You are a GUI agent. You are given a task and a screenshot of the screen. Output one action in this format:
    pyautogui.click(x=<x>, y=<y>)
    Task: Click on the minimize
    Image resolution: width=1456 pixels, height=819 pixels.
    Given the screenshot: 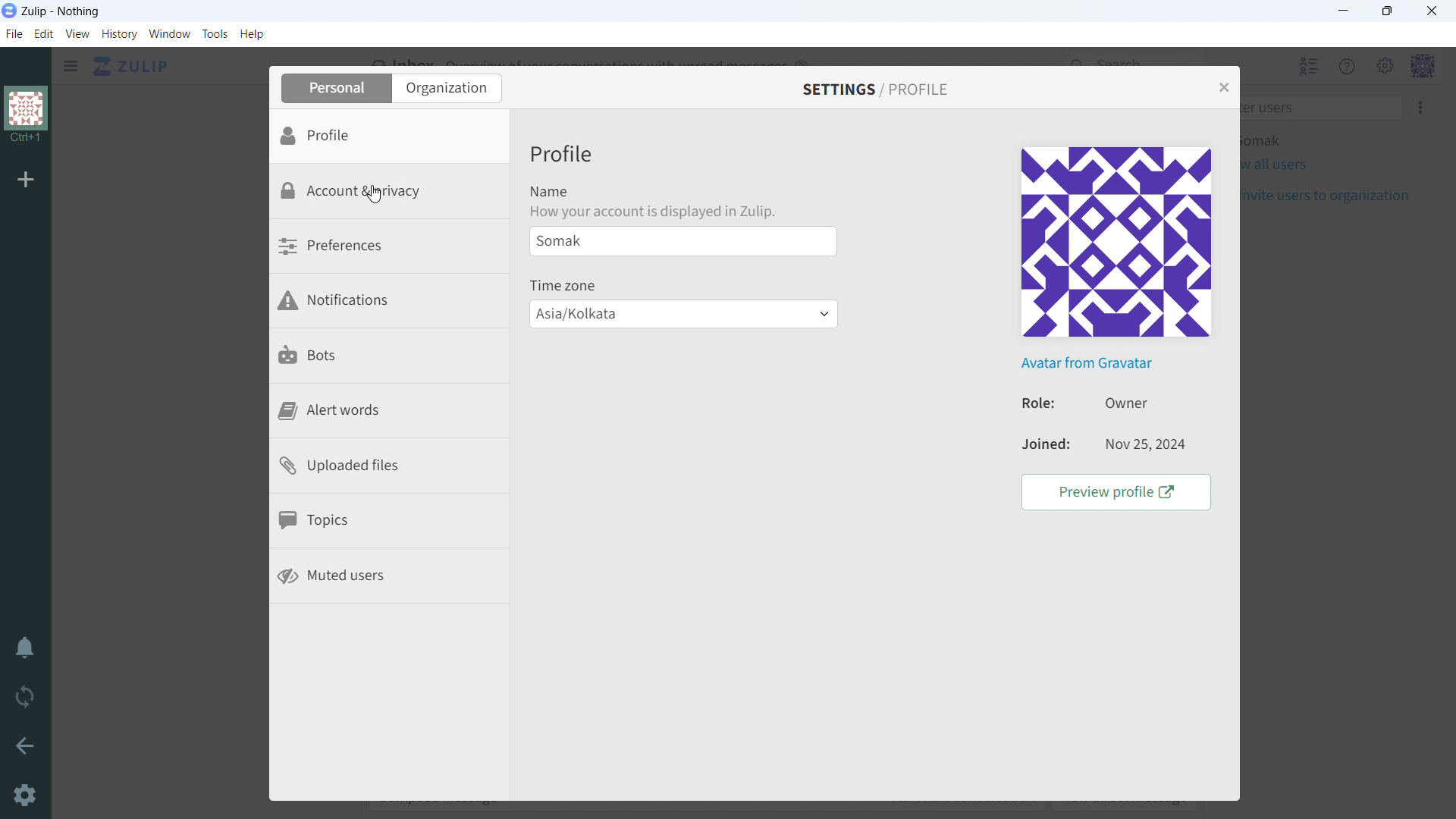 What is the action you would take?
    pyautogui.click(x=1345, y=11)
    